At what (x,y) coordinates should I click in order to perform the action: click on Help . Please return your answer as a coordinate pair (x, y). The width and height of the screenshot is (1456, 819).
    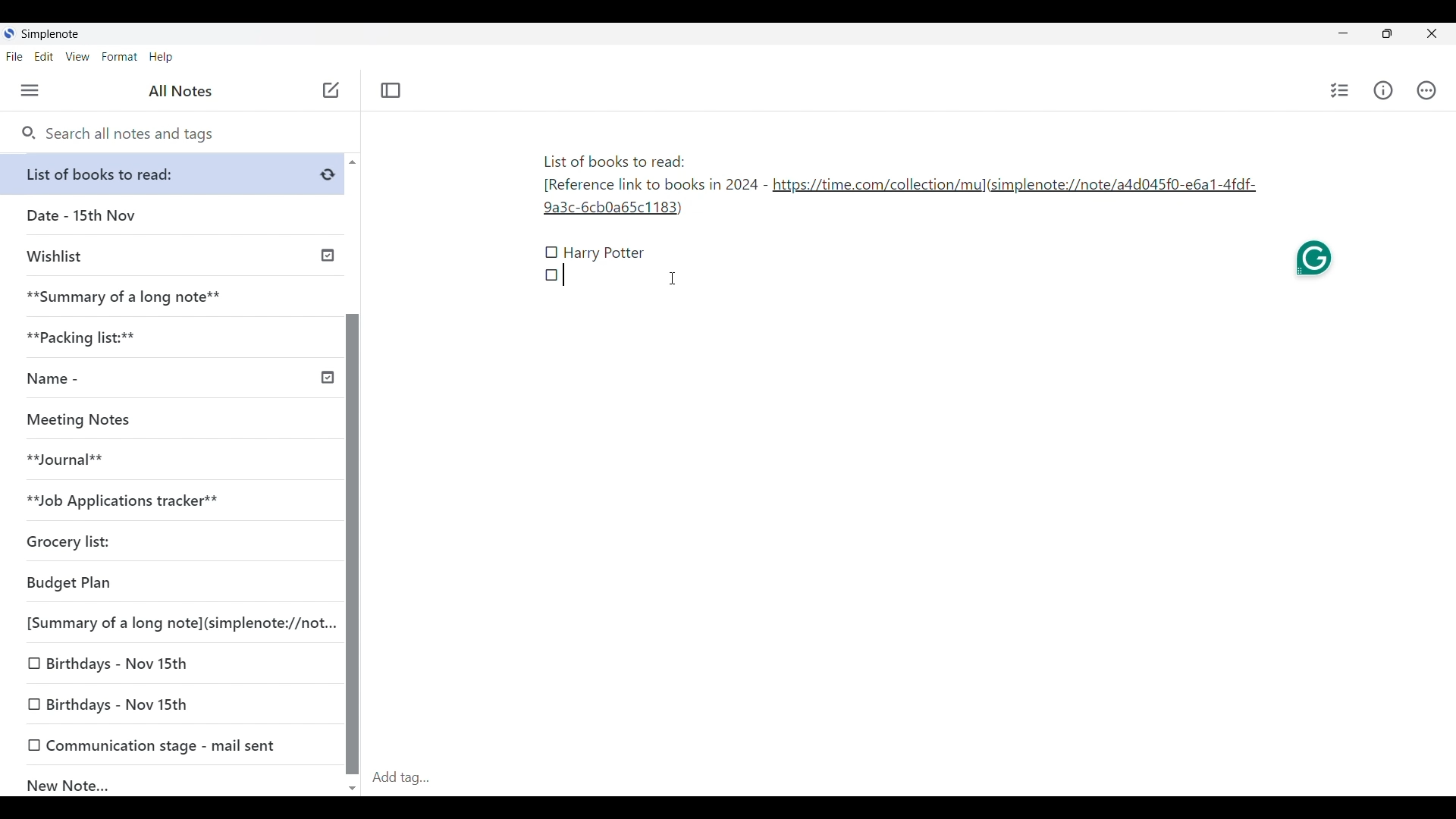
    Looking at the image, I should click on (162, 58).